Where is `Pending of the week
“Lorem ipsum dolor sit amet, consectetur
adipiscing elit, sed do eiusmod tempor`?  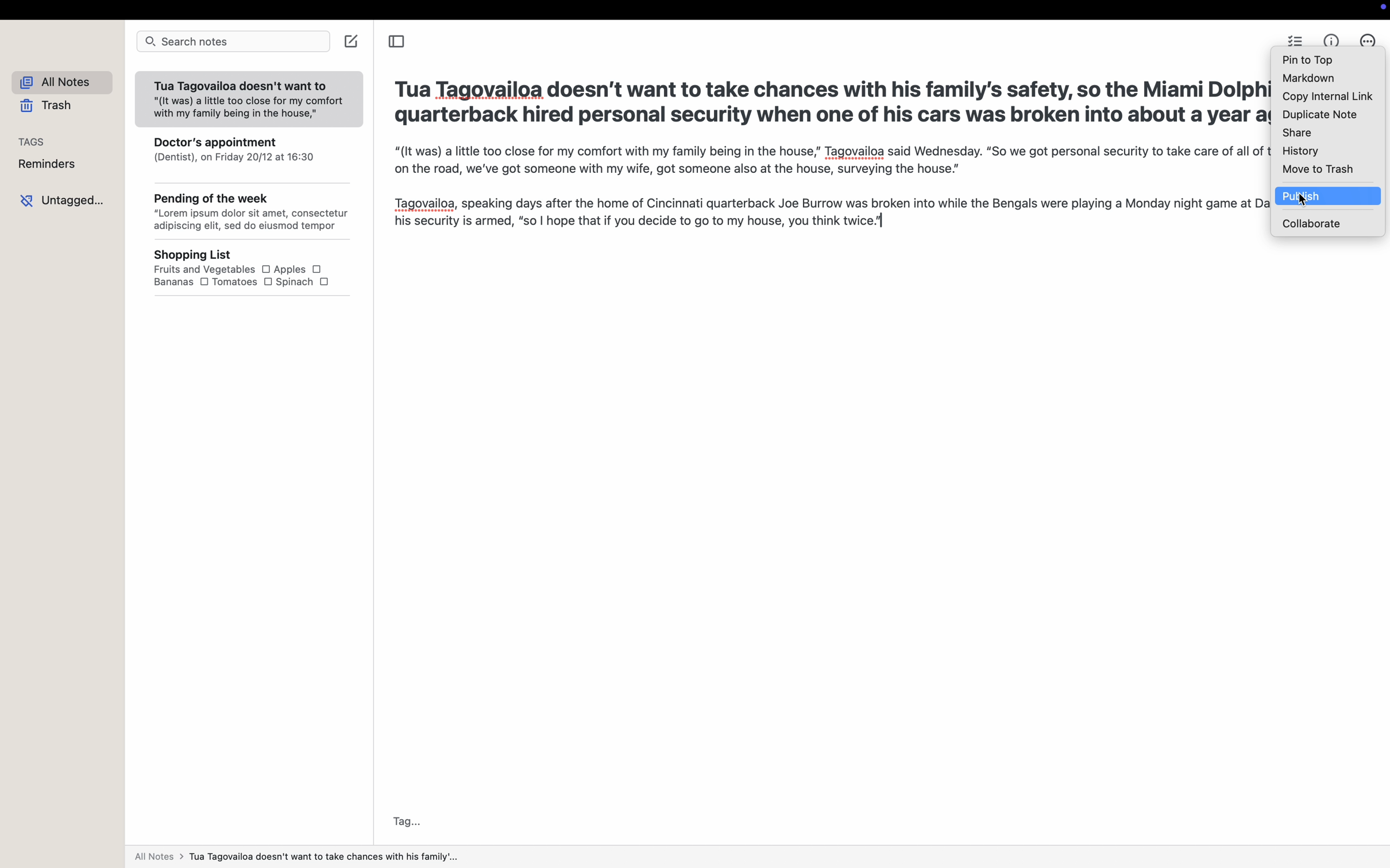
Pending of the week
“Lorem ipsum dolor sit amet, consectetur
adipiscing elit, sed do eiusmod tempor is located at coordinates (252, 214).